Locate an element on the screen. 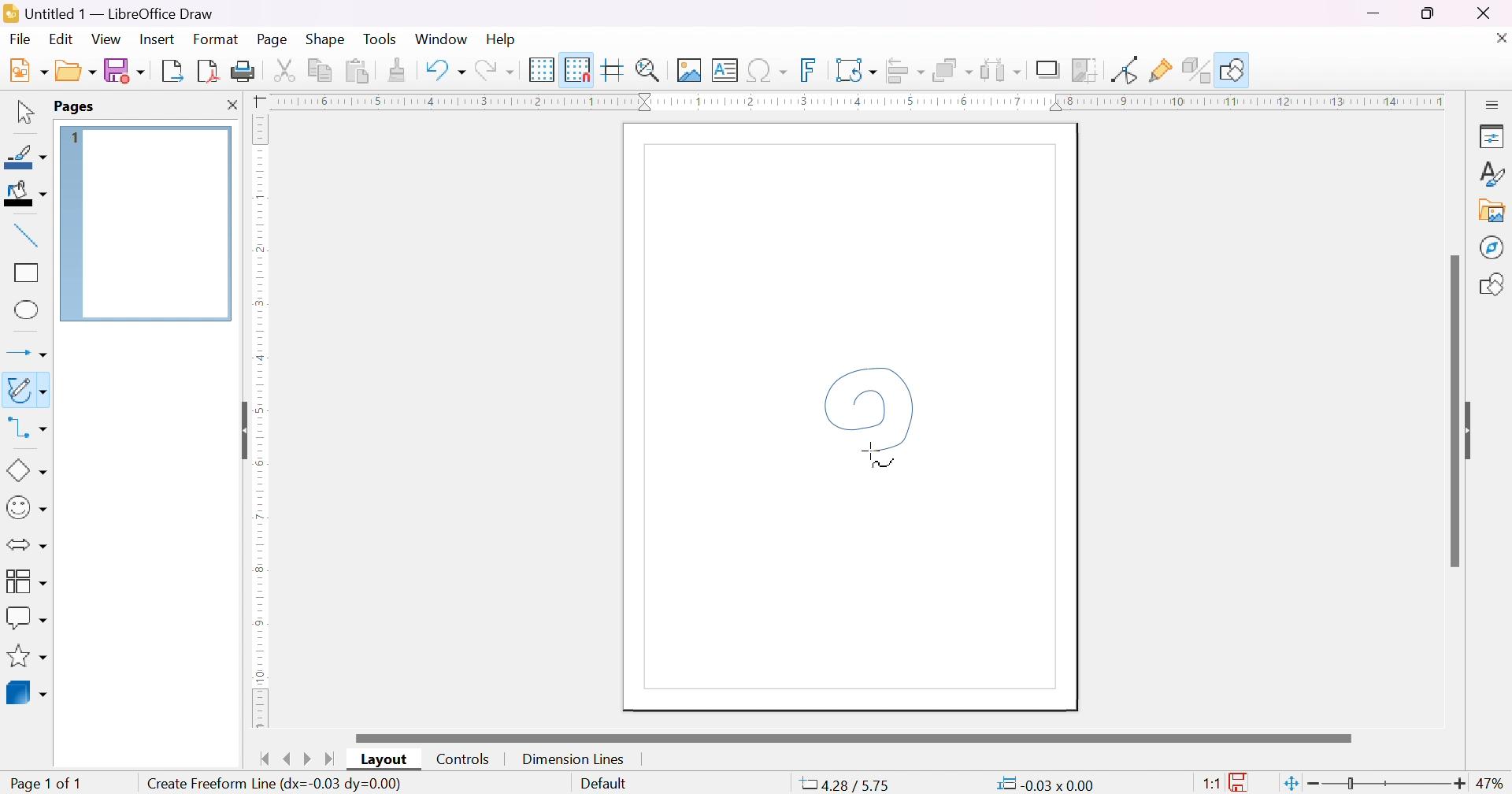 The height and width of the screenshot is (794, 1512). zoom & plan is located at coordinates (650, 70).